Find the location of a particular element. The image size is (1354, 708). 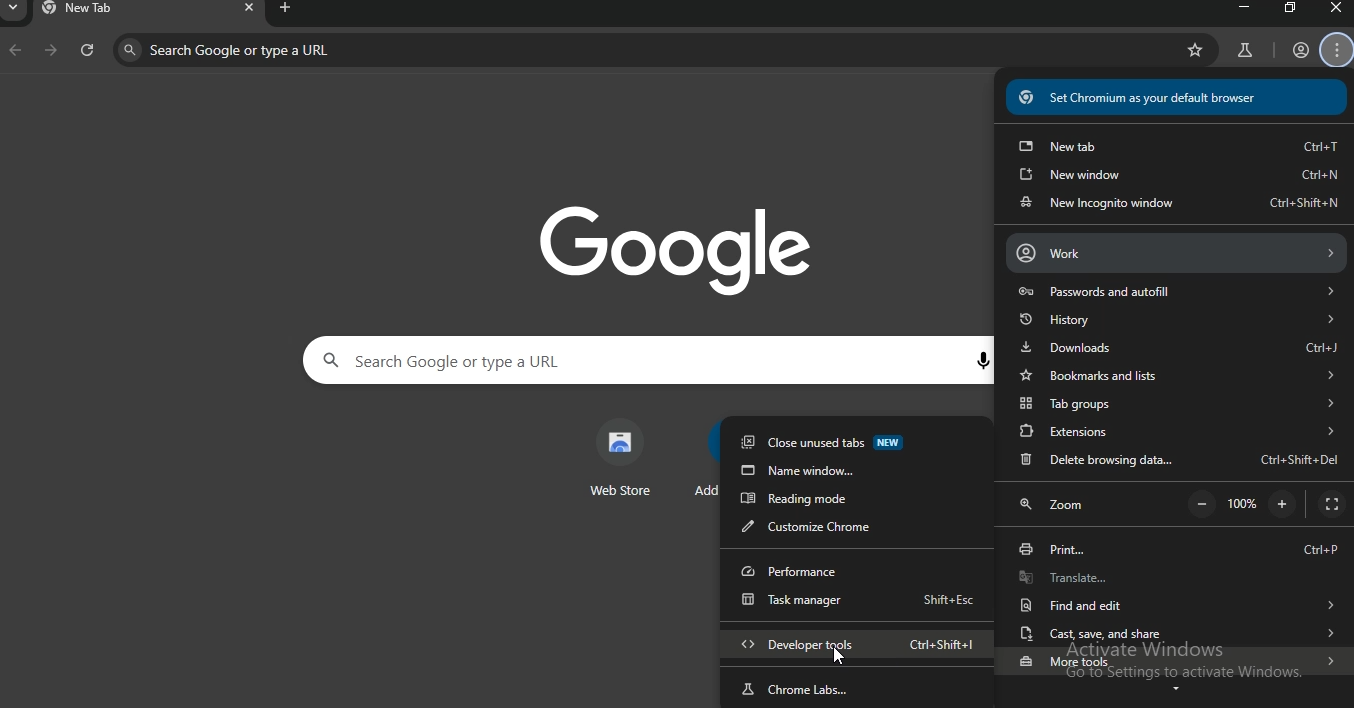

new tab is located at coordinates (286, 9).